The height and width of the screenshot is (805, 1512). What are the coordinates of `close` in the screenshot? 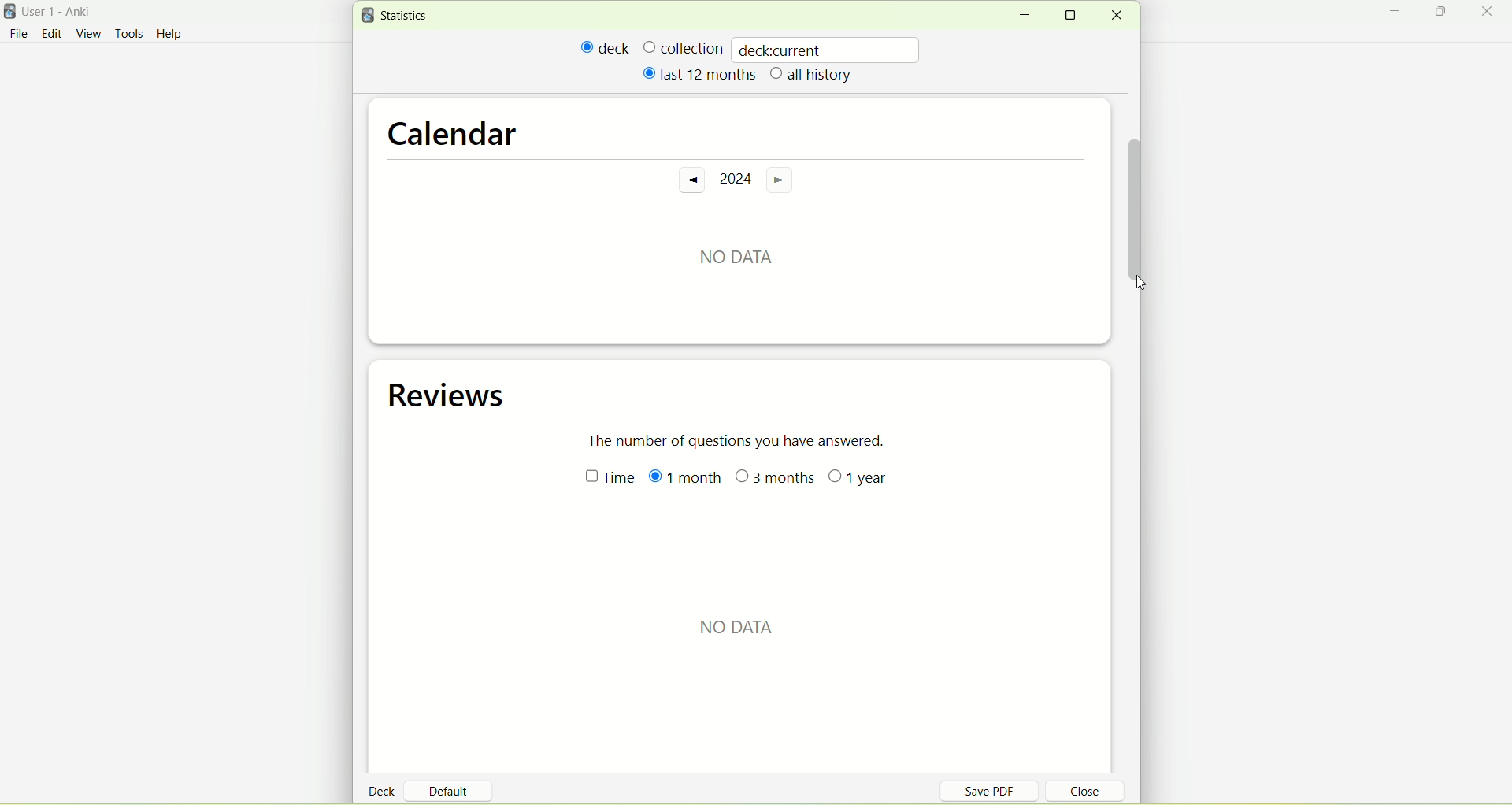 It's located at (1116, 16).